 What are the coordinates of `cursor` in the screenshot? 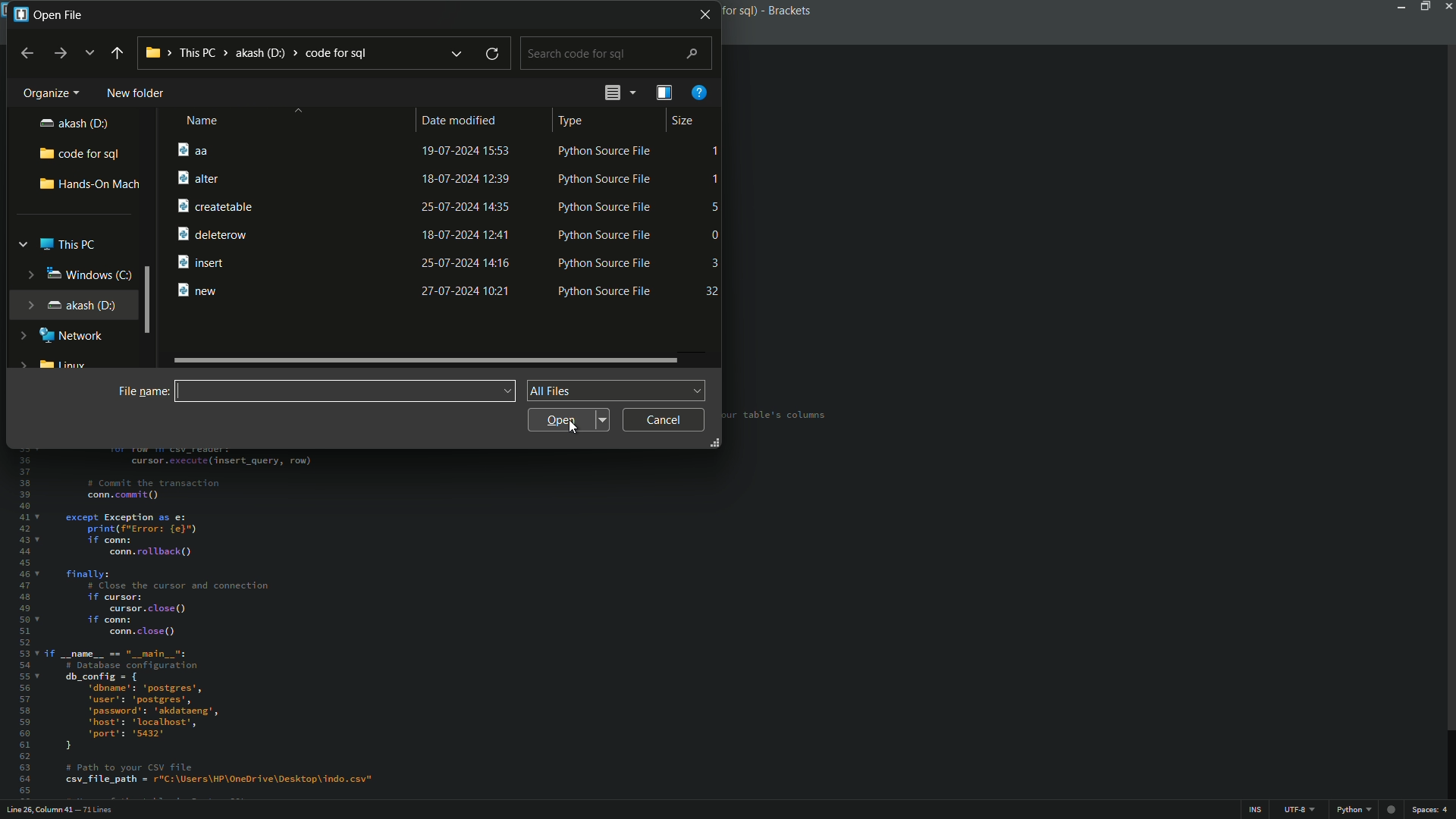 It's located at (574, 432).